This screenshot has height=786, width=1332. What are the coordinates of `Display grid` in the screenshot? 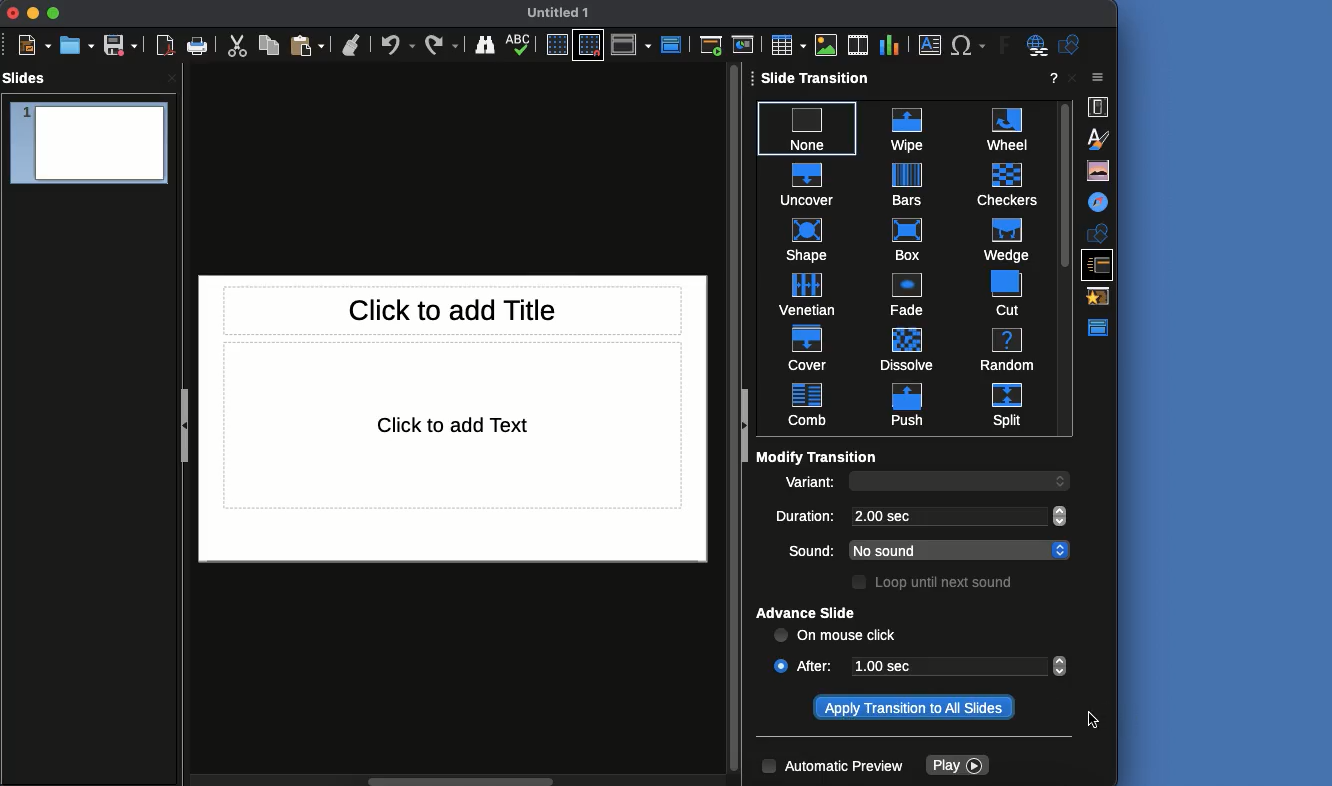 It's located at (558, 44).